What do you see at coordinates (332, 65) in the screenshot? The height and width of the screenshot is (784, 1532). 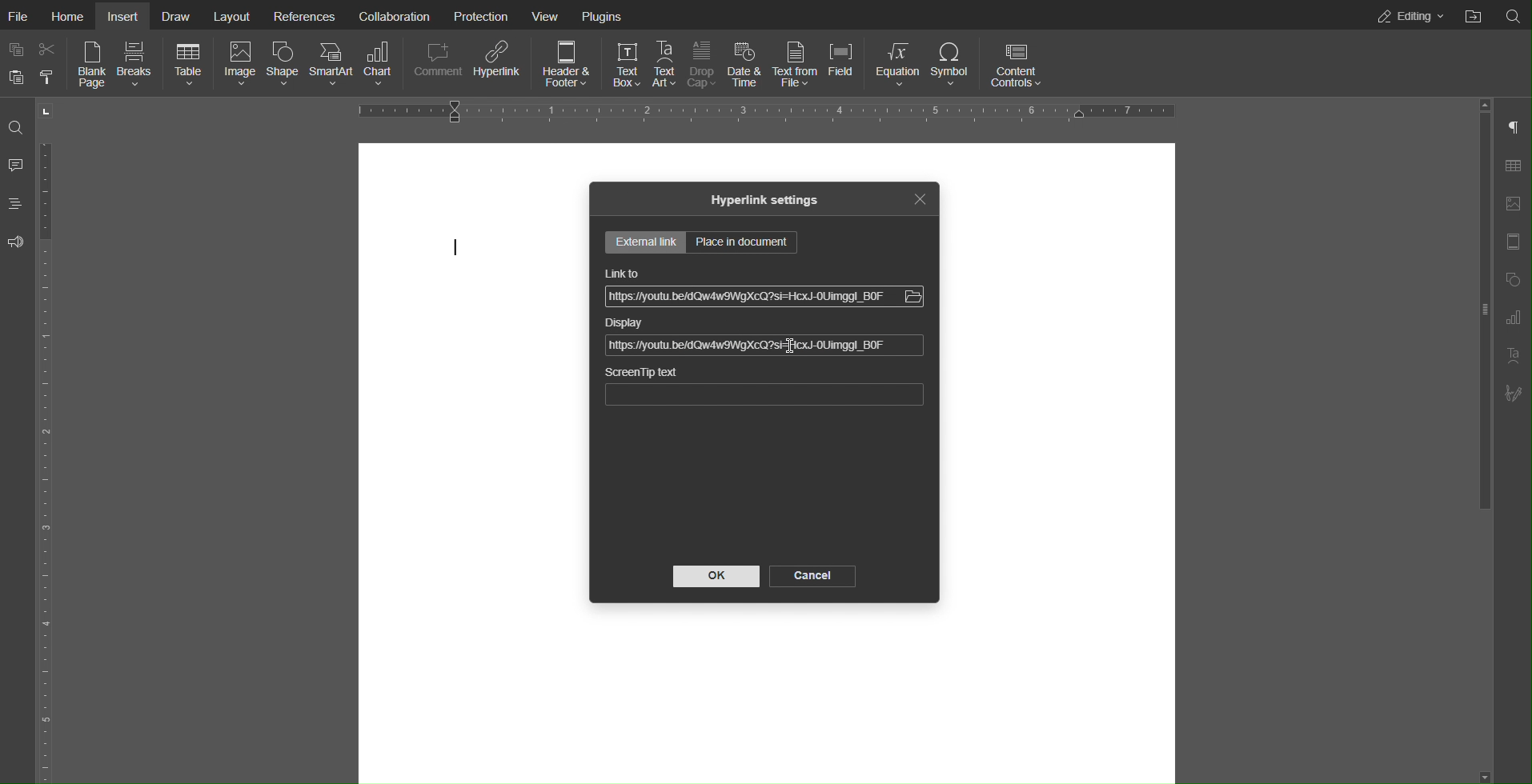 I see `SmartArt` at bounding box center [332, 65].